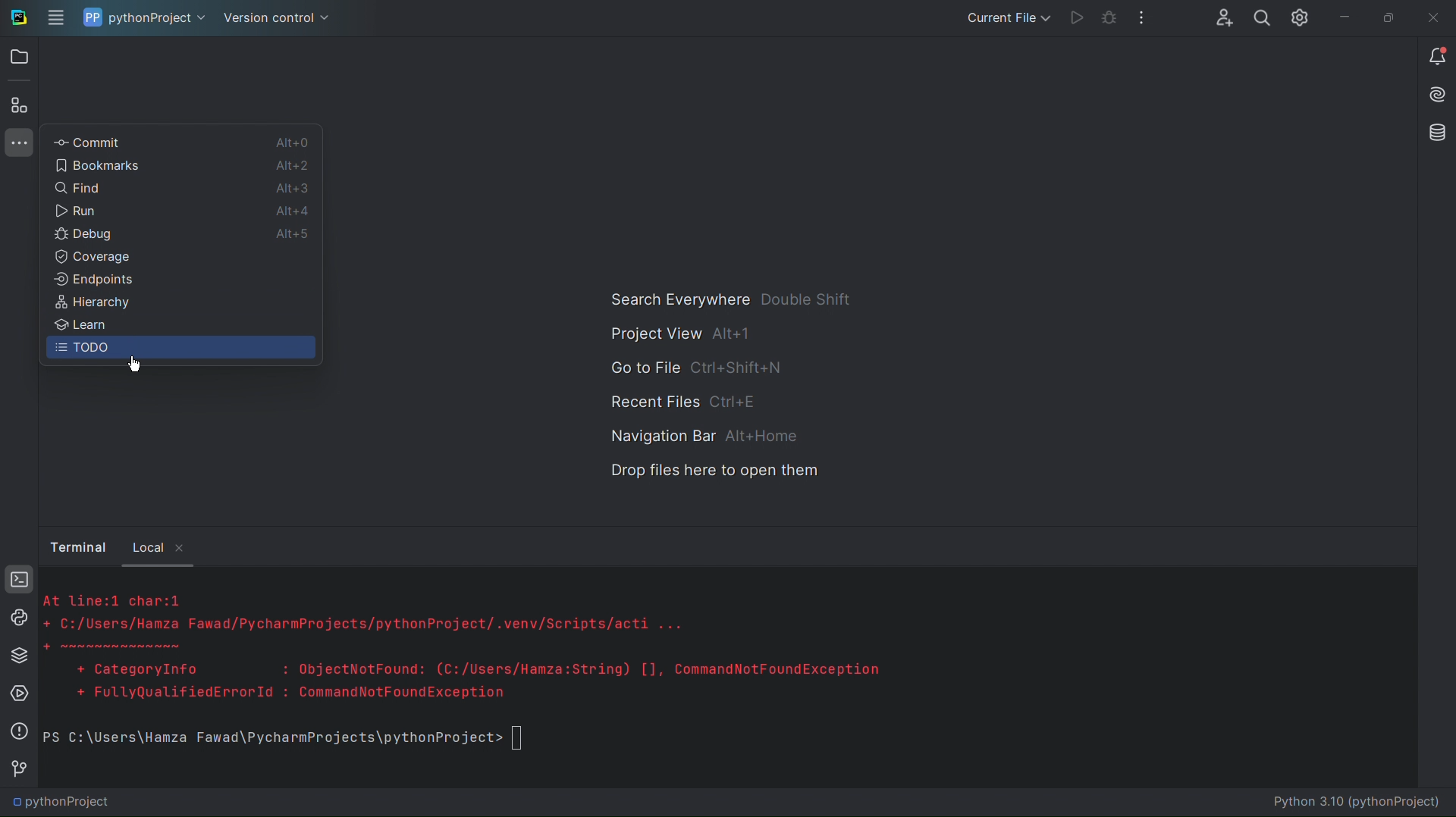 Image resolution: width=1456 pixels, height=817 pixels. Describe the element at coordinates (135, 142) in the screenshot. I see `Commit` at that location.